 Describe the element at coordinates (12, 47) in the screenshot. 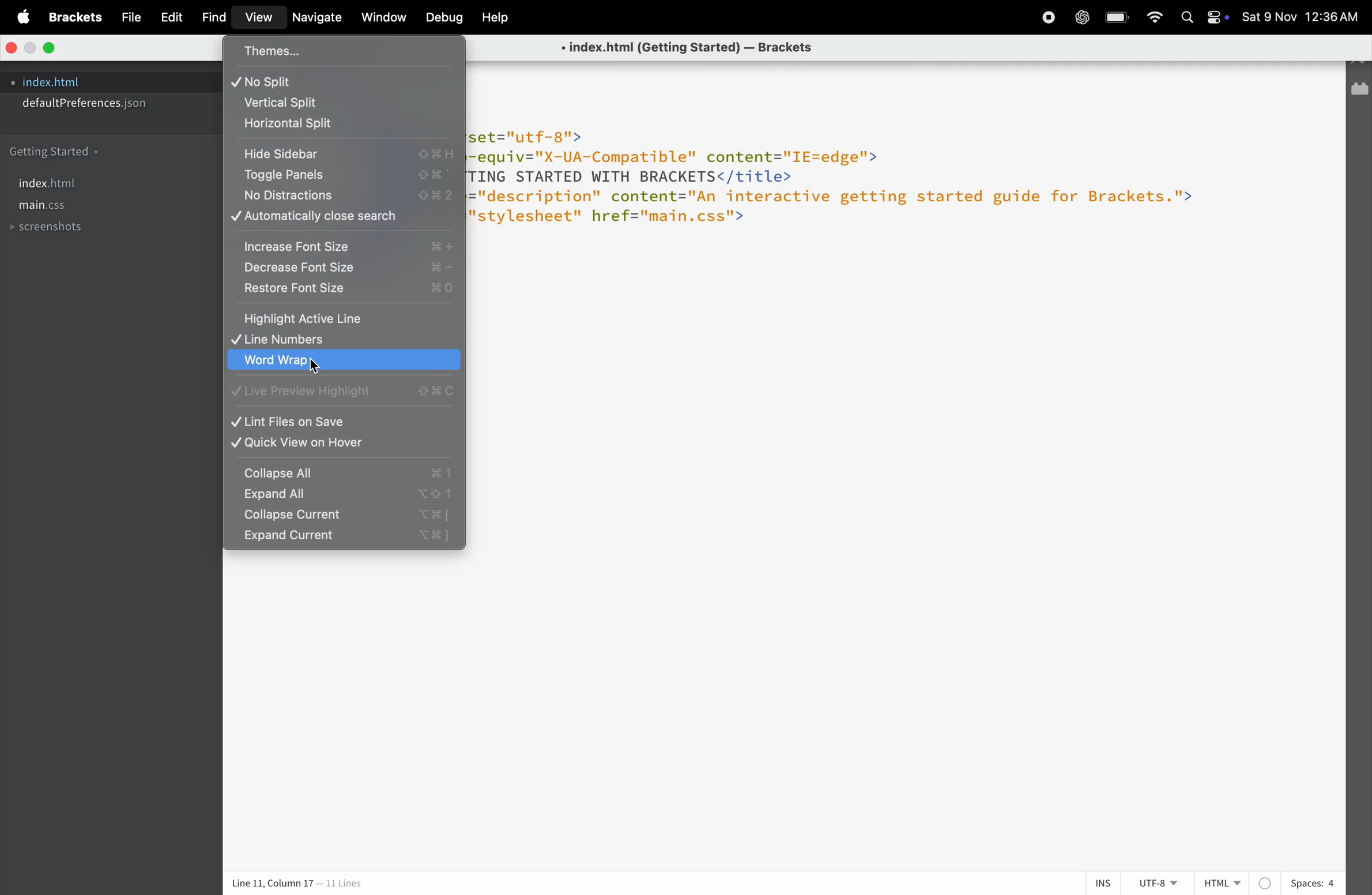

I see `closing window` at that location.